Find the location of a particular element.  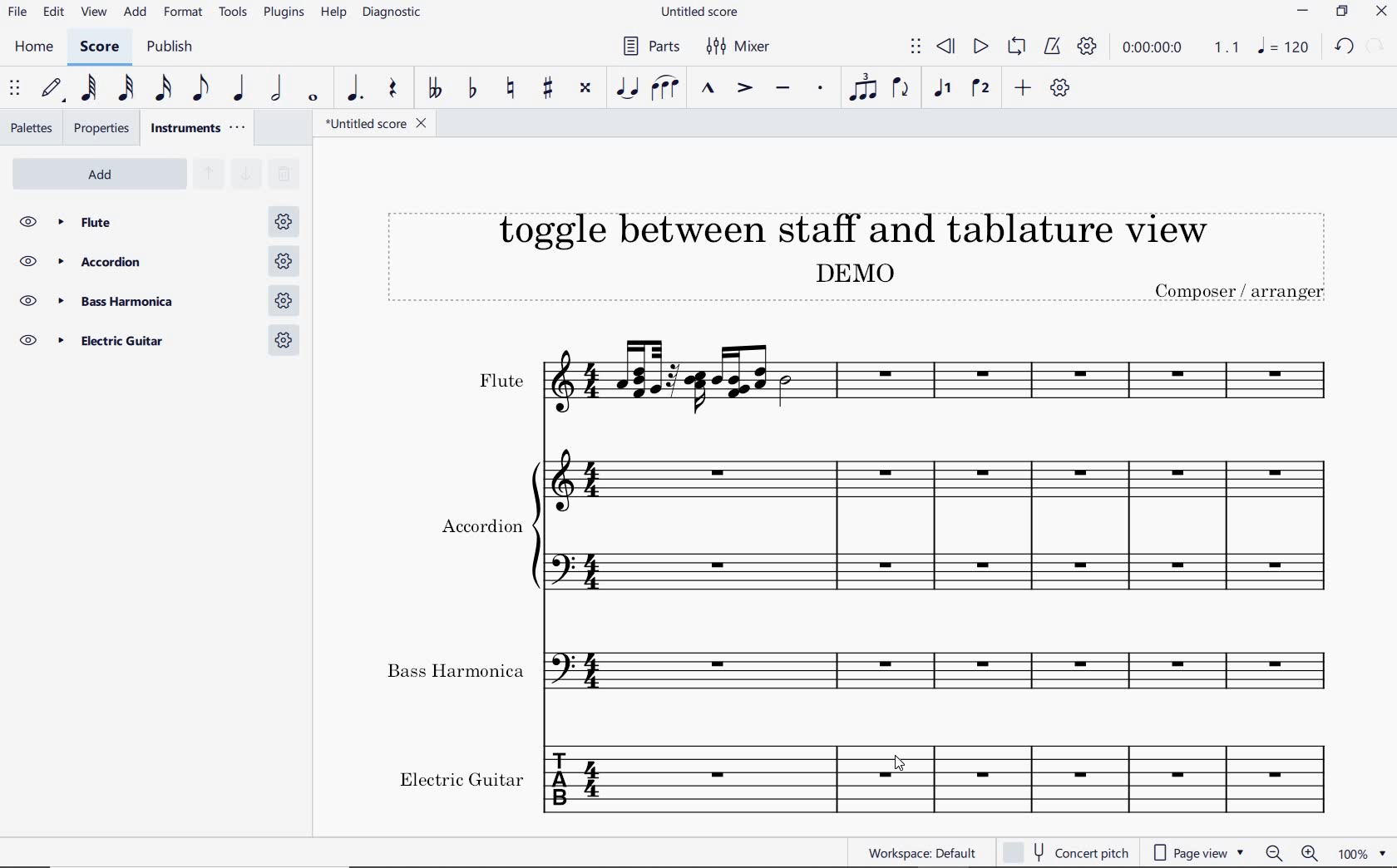

file name is located at coordinates (379, 126).